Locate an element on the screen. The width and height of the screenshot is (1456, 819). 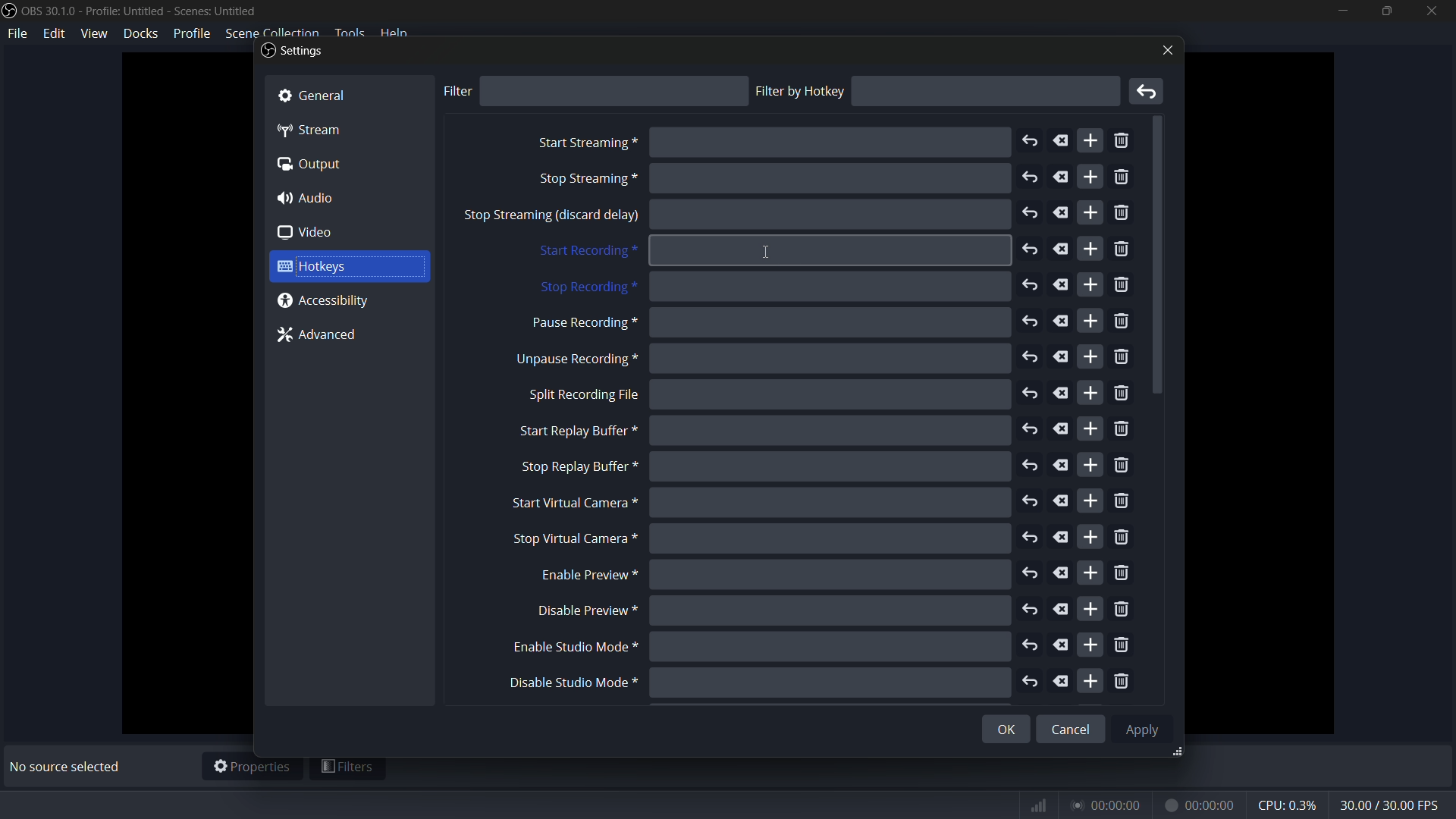
split recording file is located at coordinates (583, 395).